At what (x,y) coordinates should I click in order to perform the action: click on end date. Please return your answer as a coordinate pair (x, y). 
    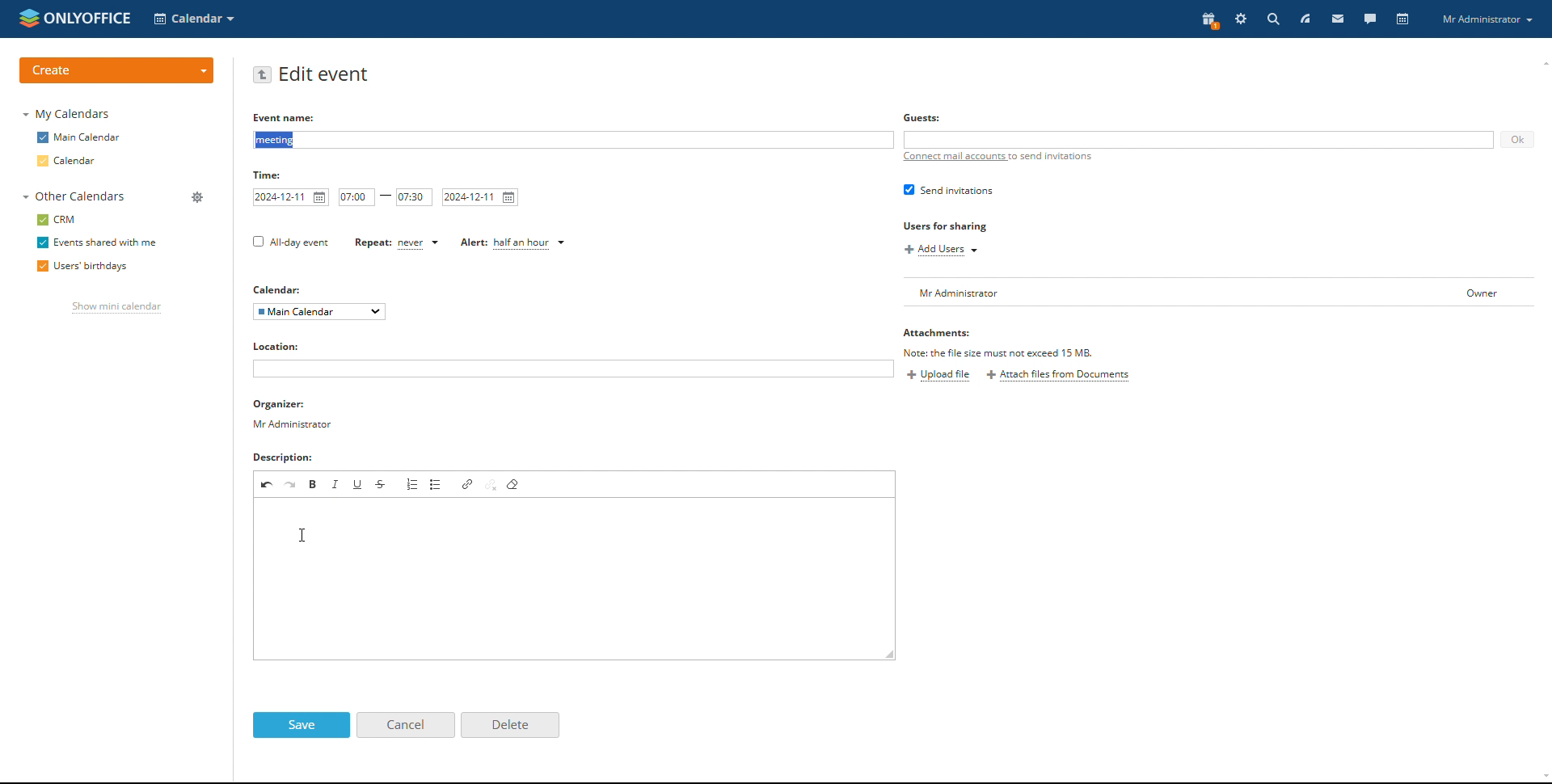
    Looking at the image, I should click on (479, 197).